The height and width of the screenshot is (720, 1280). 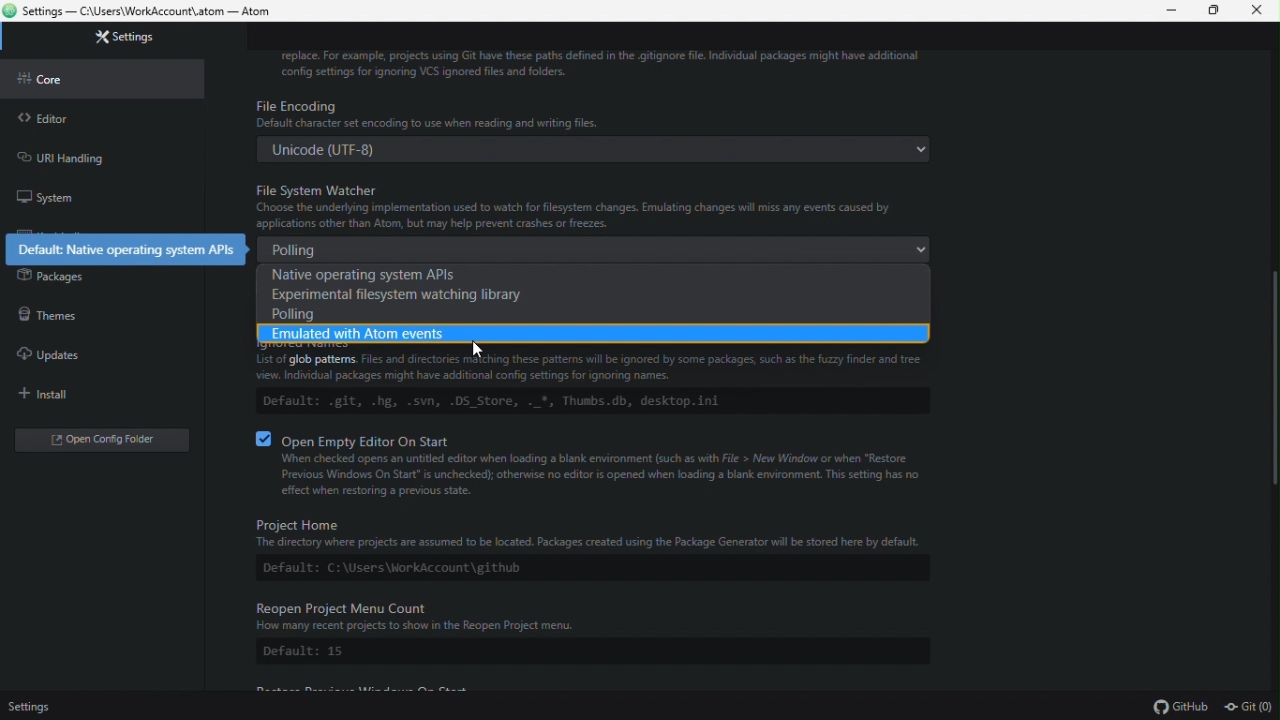 What do you see at coordinates (594, 315) in the screenshot?
I see `polling` at bounding box center [594, 315].